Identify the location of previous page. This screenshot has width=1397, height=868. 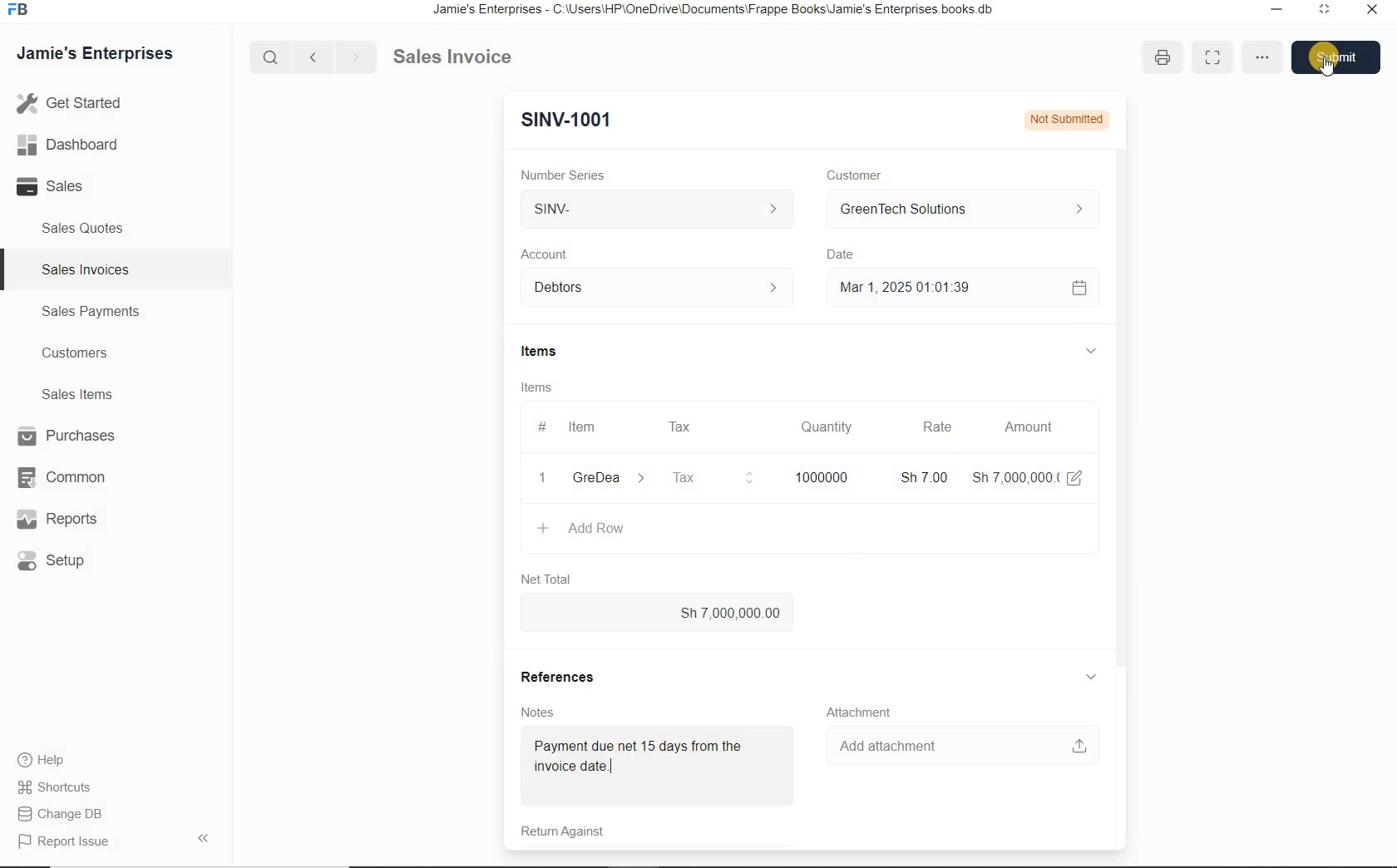
(312, 57).